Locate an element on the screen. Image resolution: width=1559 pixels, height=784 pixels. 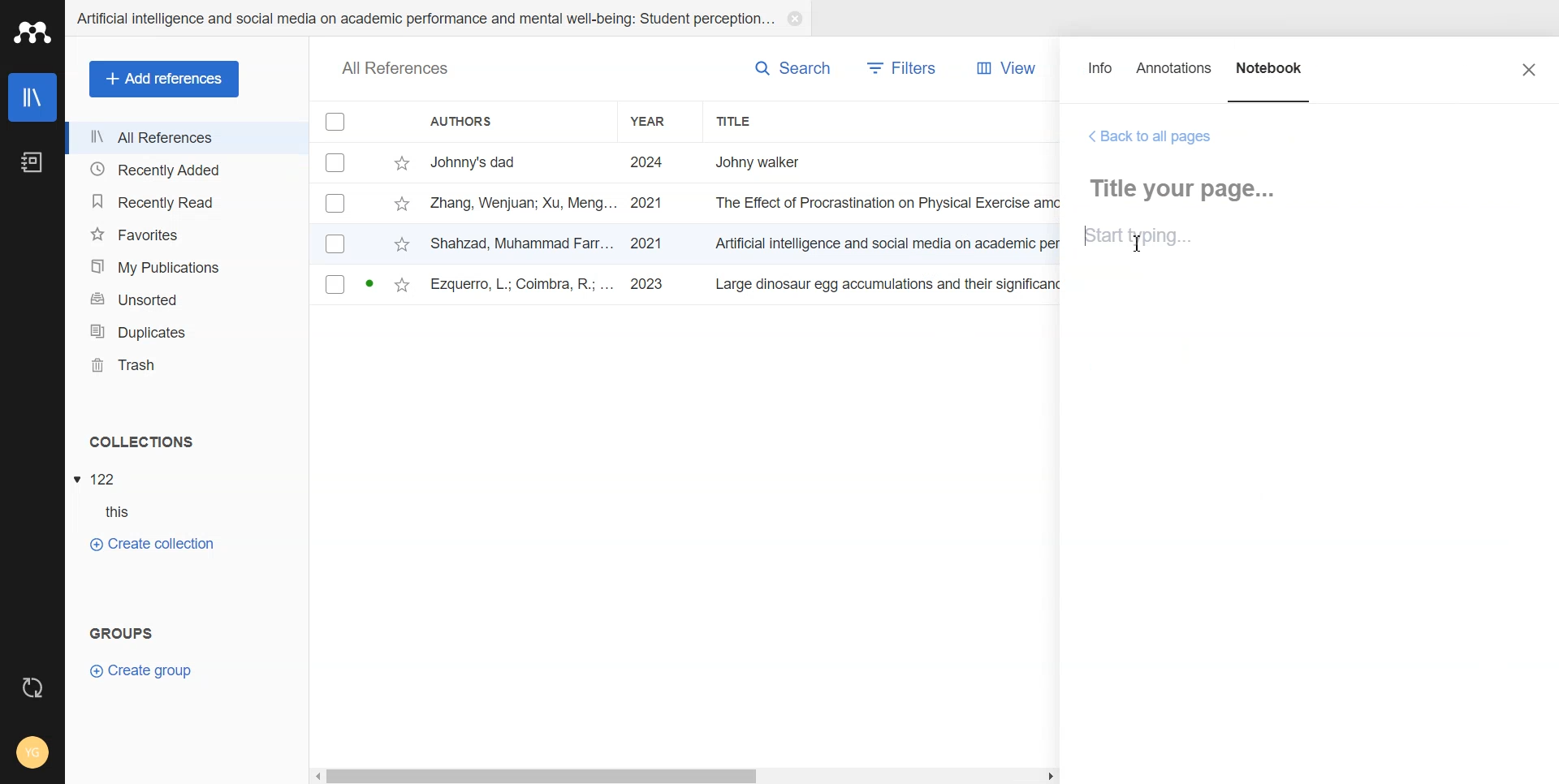
zang, wenjuan; xu, meng... is located at coordinates (524, 202).